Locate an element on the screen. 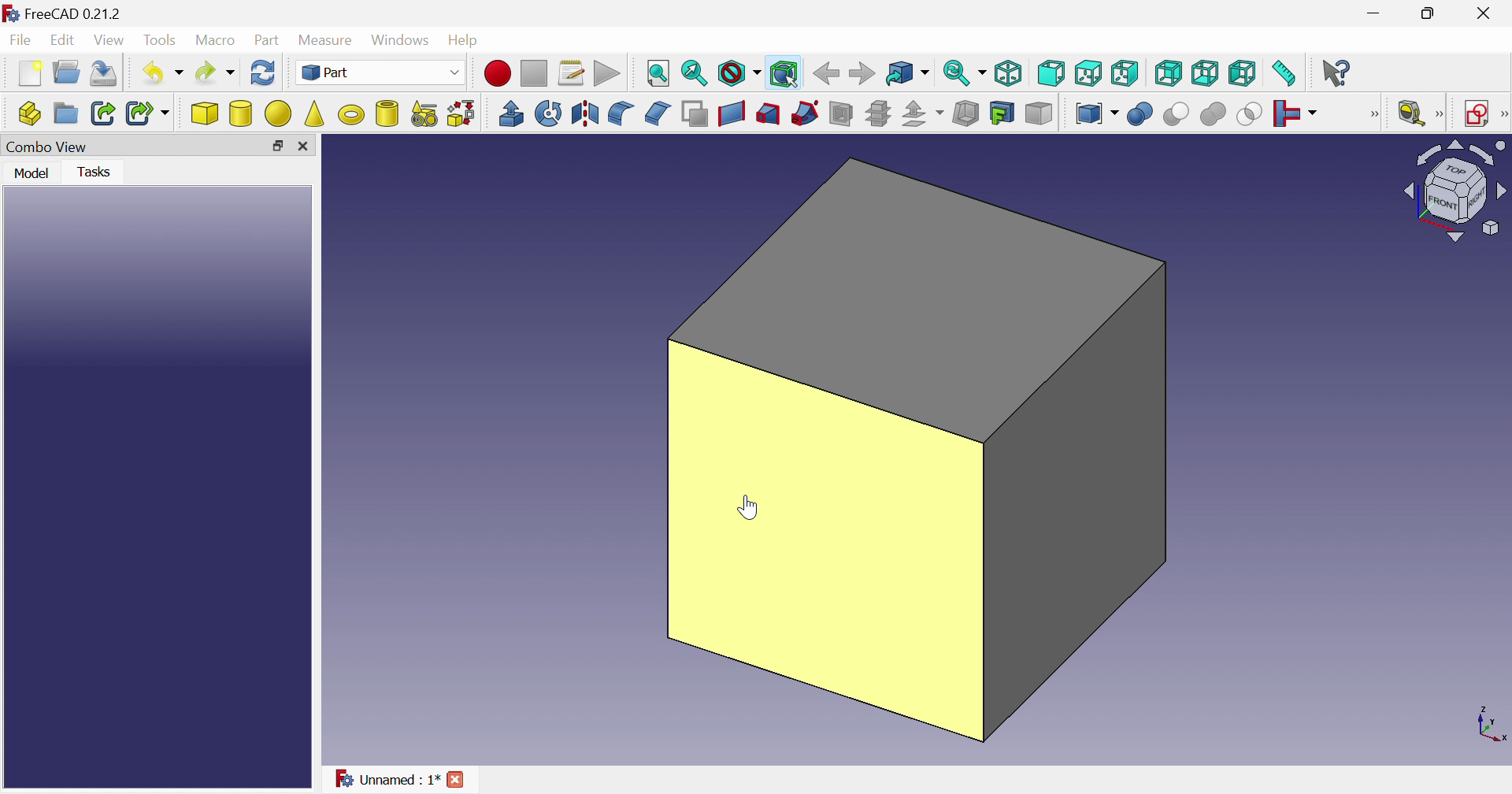  View is located at coordinates (112, 40).